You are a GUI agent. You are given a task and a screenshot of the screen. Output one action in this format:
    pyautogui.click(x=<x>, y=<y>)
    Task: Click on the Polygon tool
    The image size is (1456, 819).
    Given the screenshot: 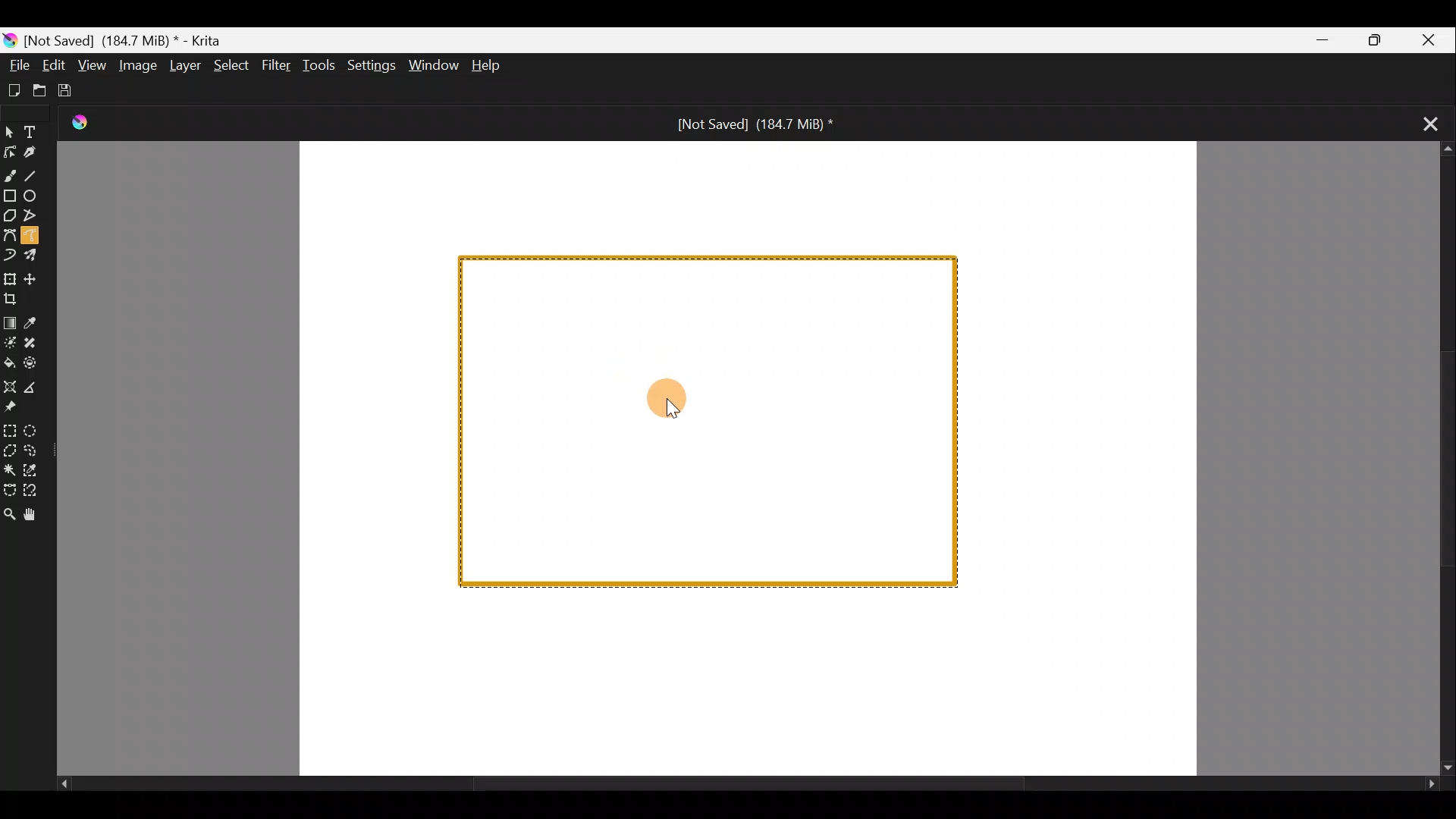 What is the action you would take?
    pyautogui.click(x=9, y=215)
    